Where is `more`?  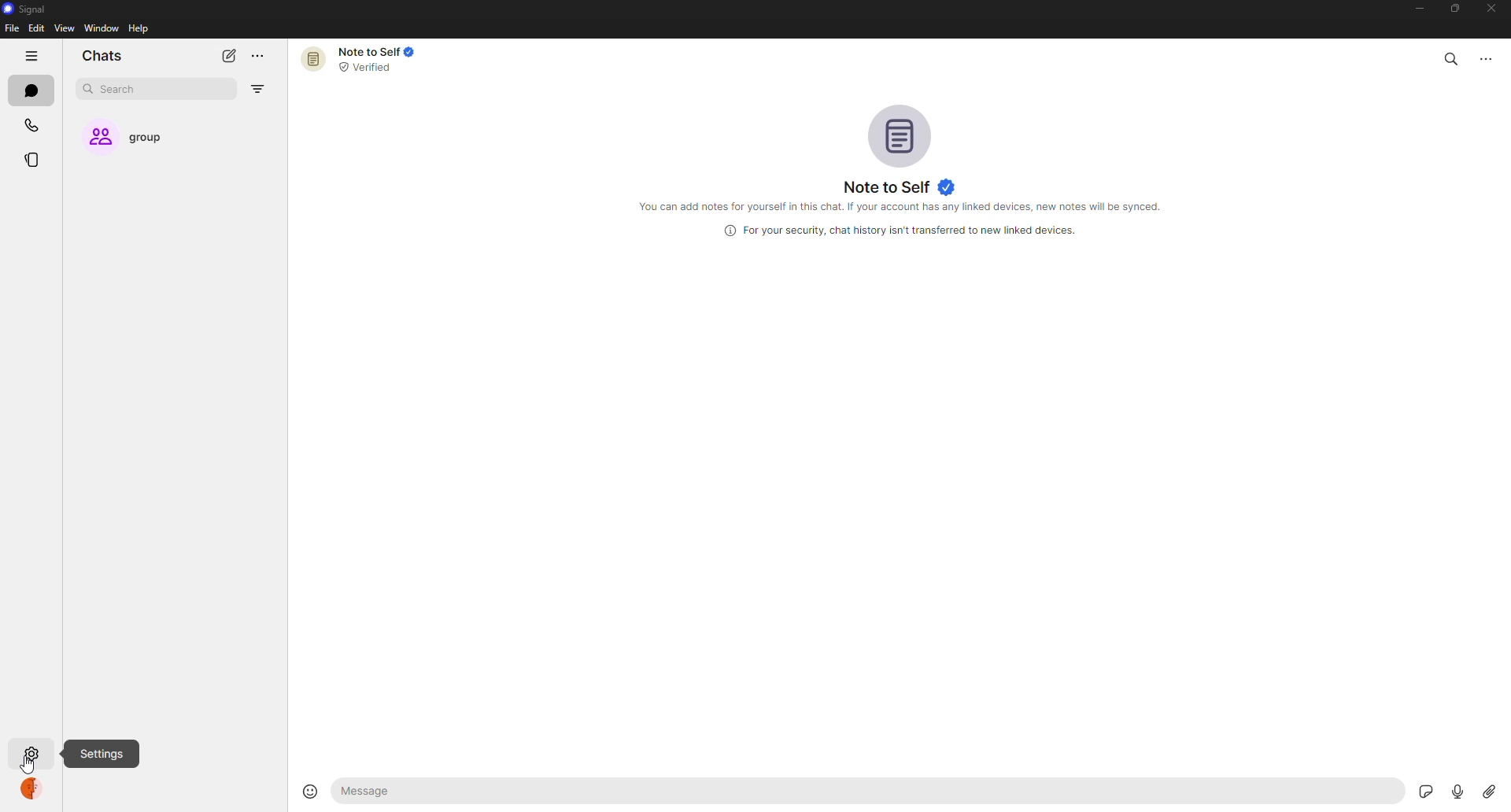 more is located at coordinates (257, 57).